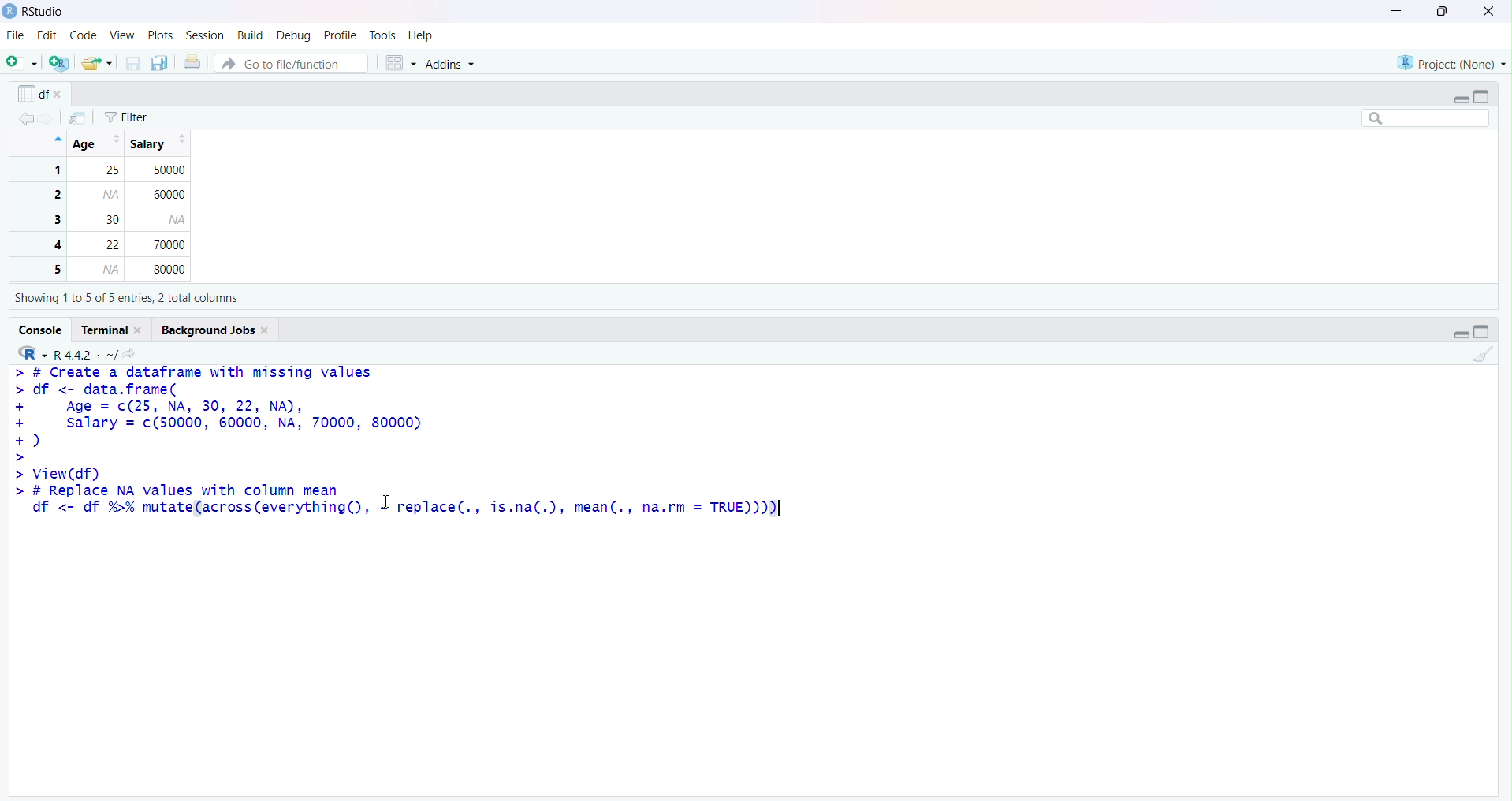 The width and height of the screenshot is (1512, 801). What do you see at coordinates (1459, 100) in the screenshot?
I see `Minimize` at bounding box center [1459, 100].